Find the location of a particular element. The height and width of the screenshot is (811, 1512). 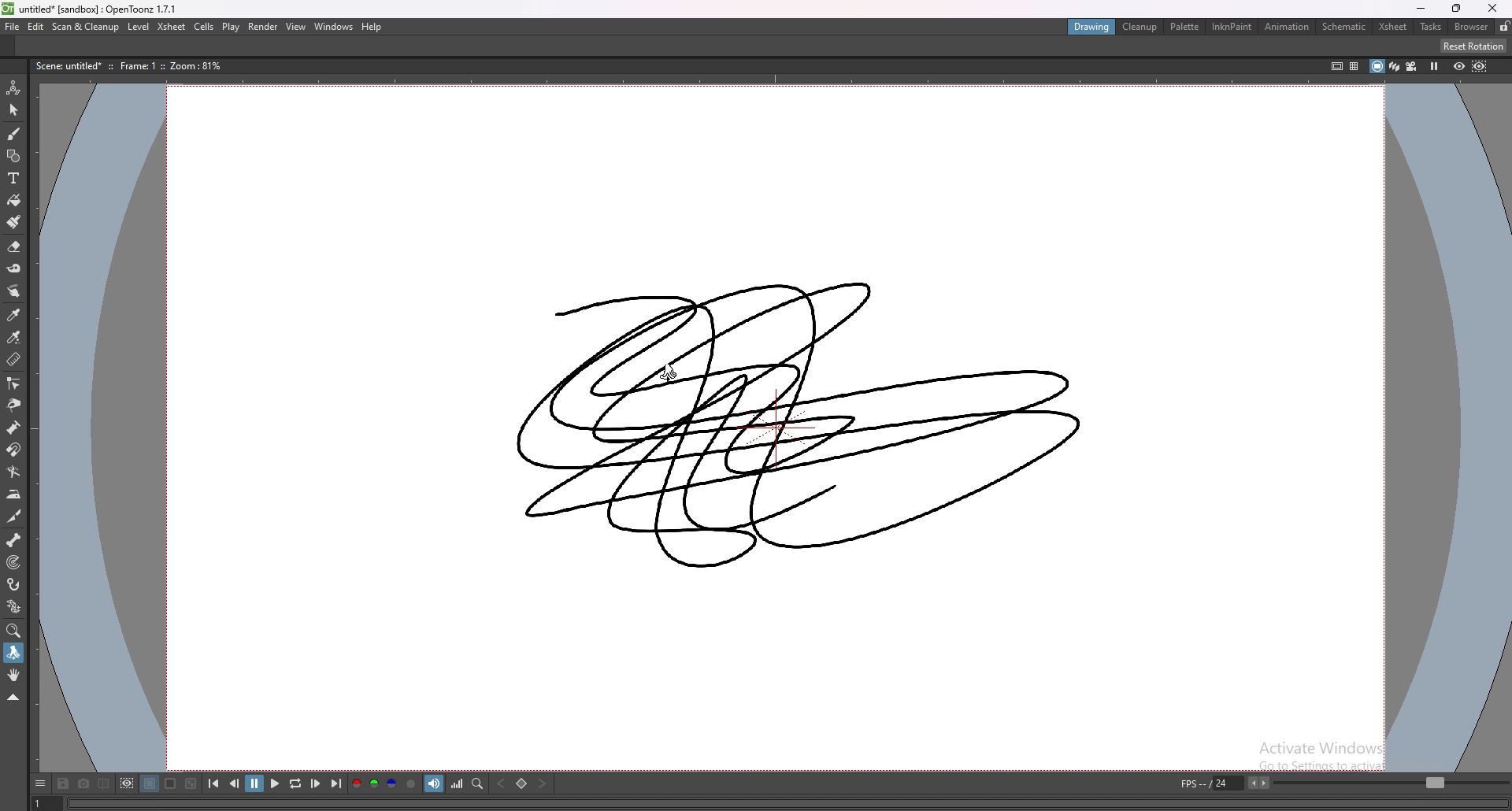

last frame is located at coordinates (335, 783).